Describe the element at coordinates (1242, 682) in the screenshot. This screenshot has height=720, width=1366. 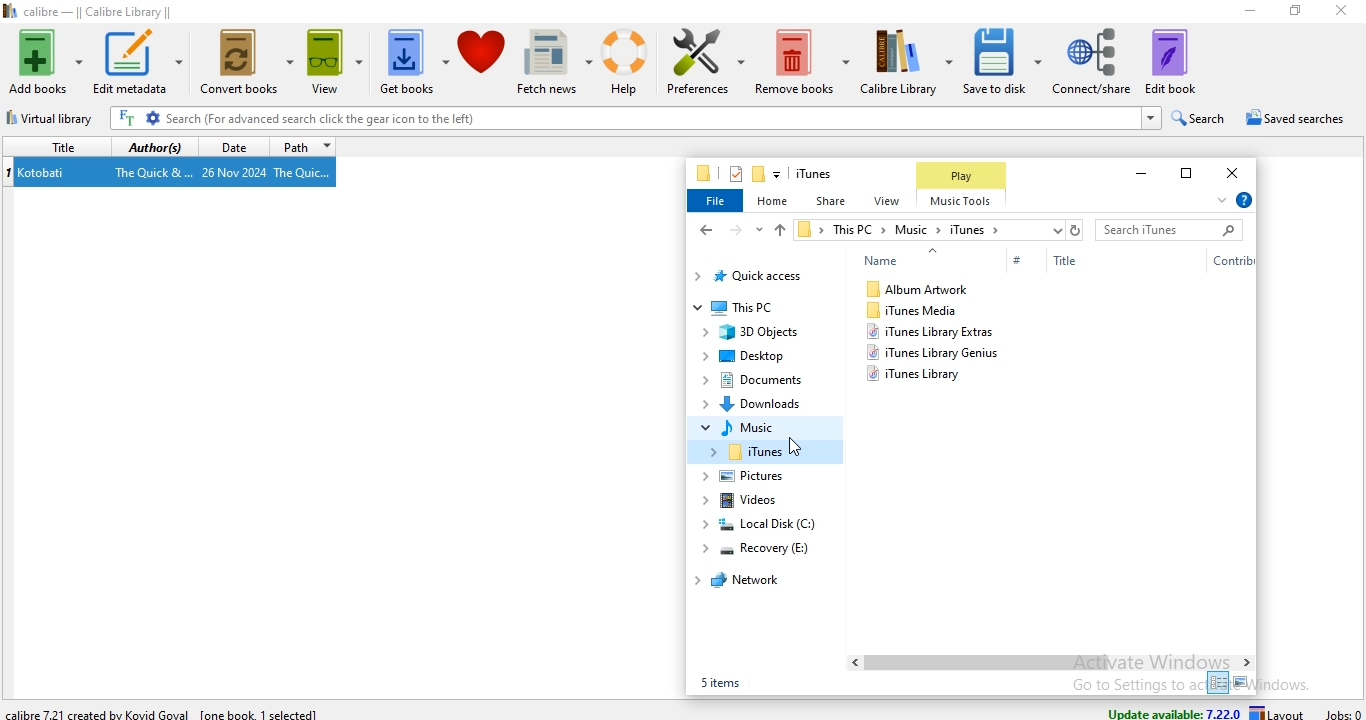
I see `large icon view` at that location.